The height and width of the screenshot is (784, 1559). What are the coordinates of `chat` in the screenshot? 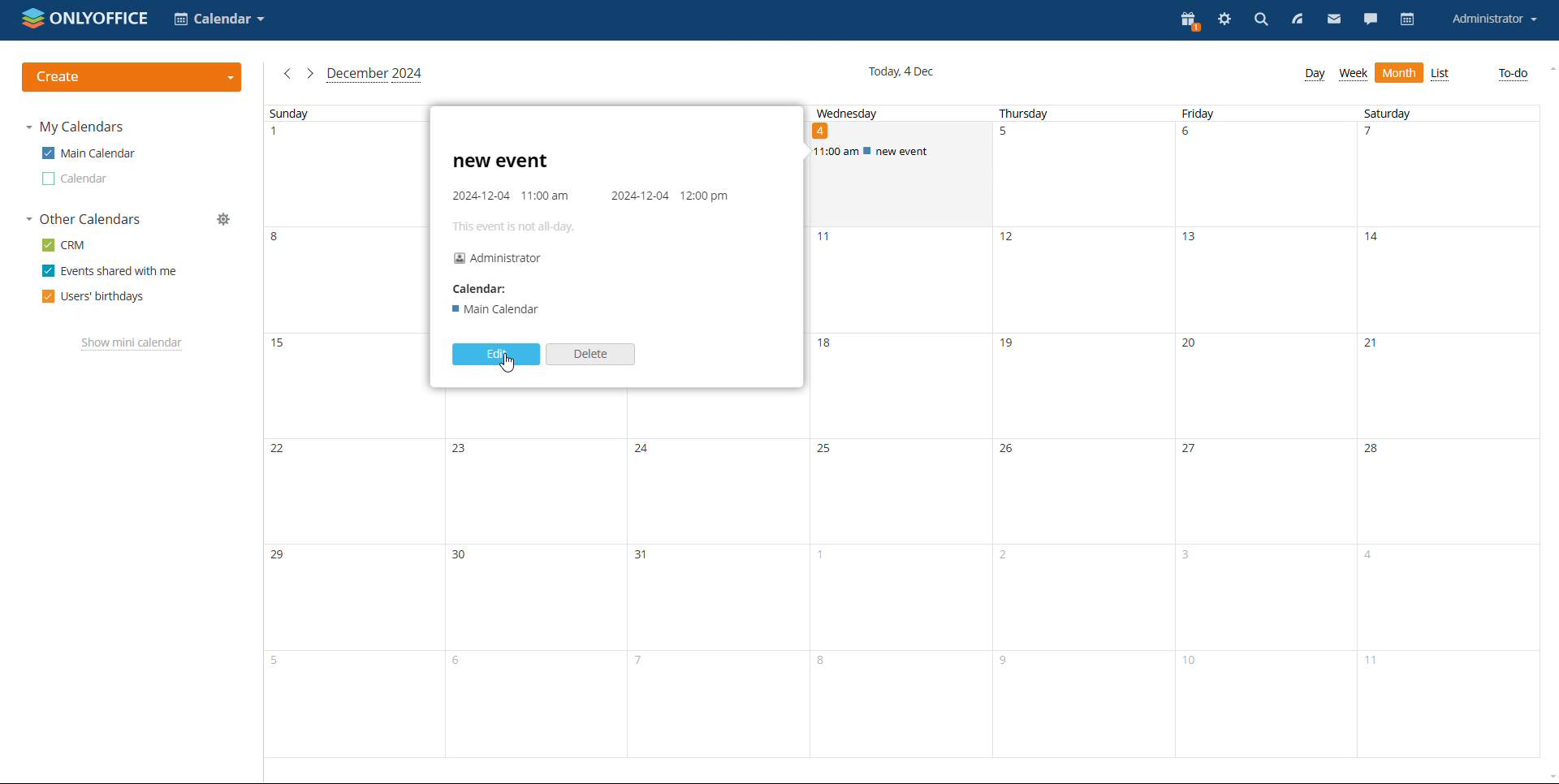 It's located at (1371, 21).